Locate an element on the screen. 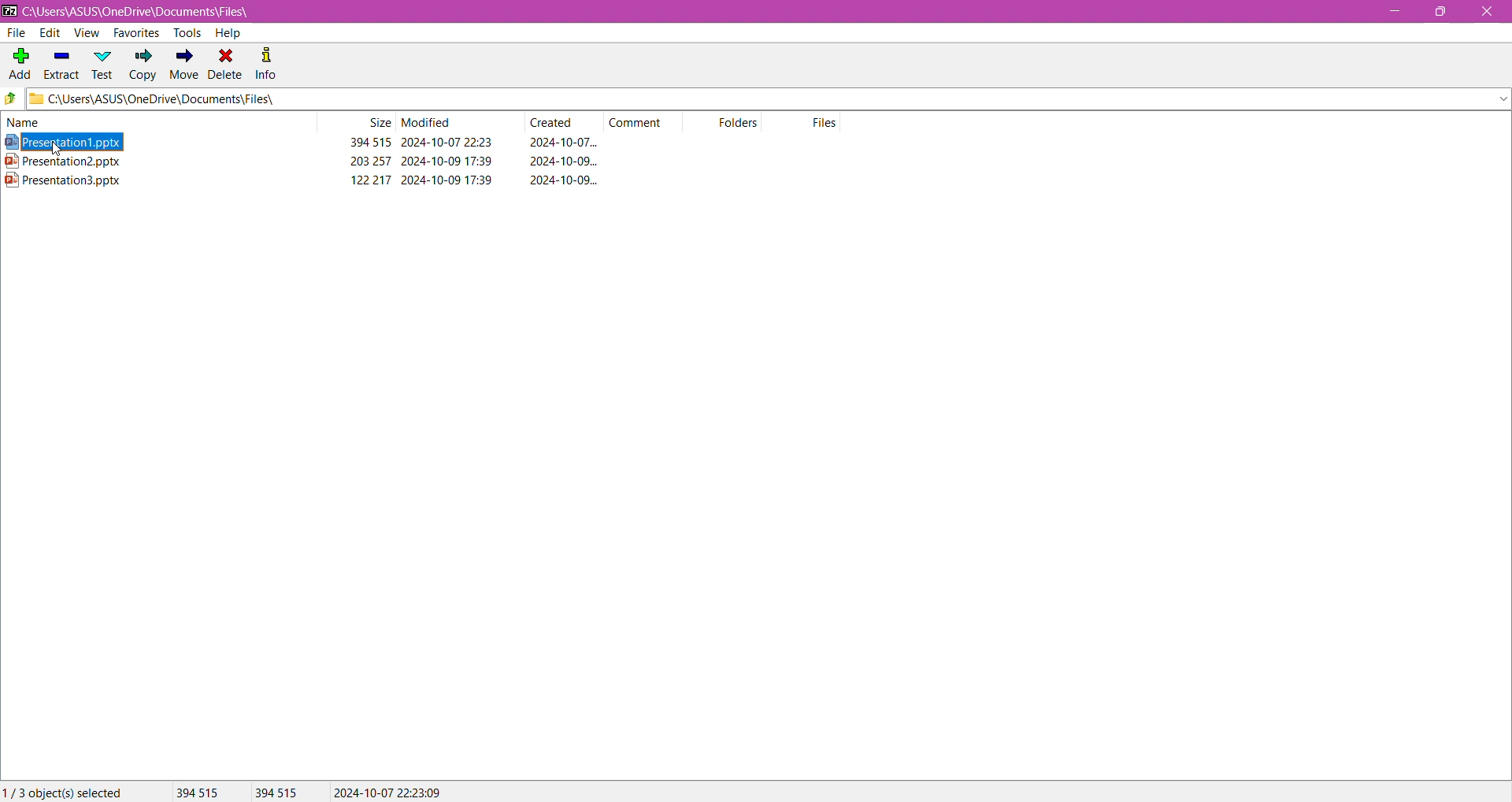 Image resolution: width=1512 pixels, height=802 pixels. View is located at coordinates (86, 33).